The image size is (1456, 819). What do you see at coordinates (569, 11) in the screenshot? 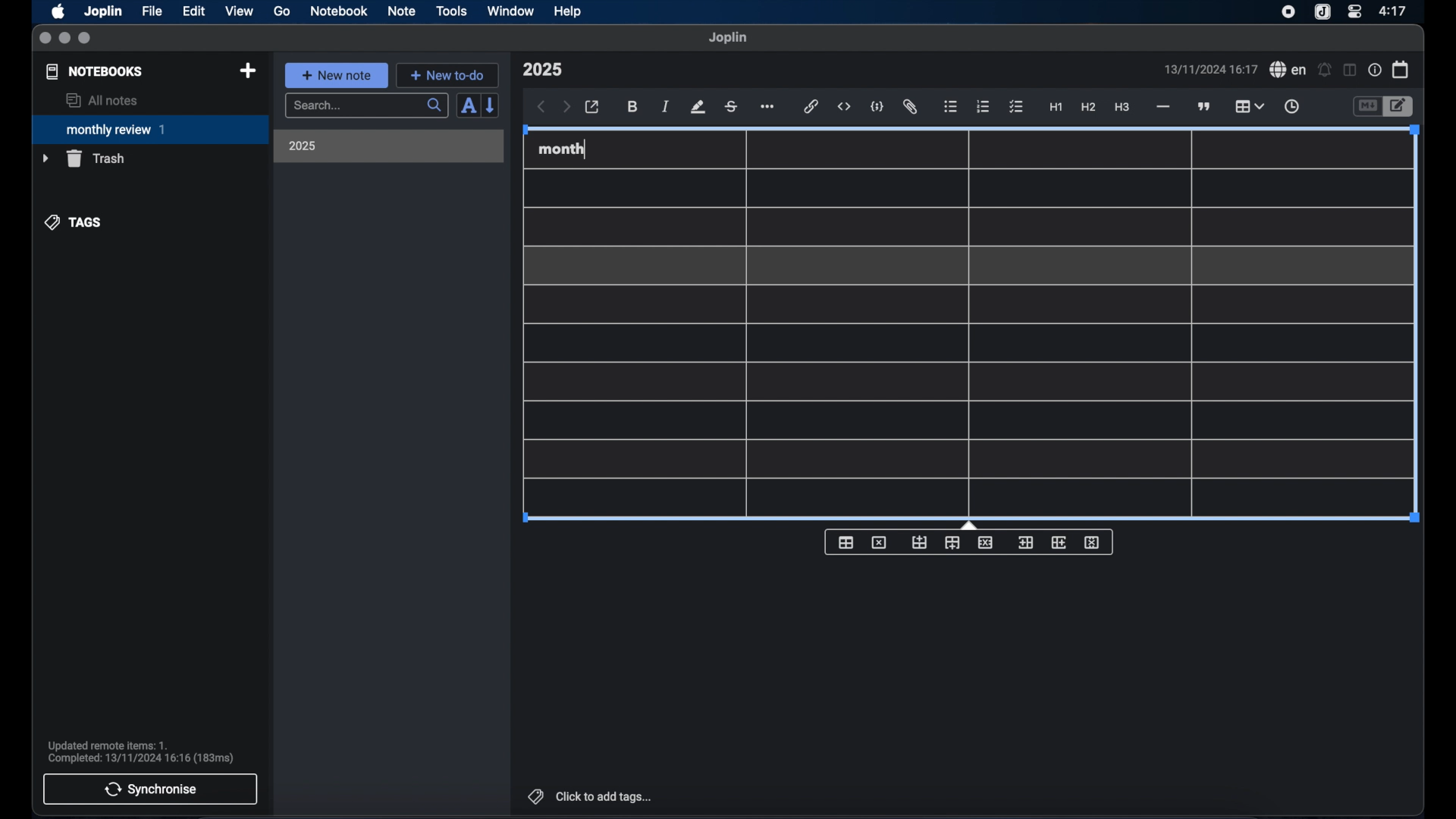
I see `help` at bounding box center [569, 11].